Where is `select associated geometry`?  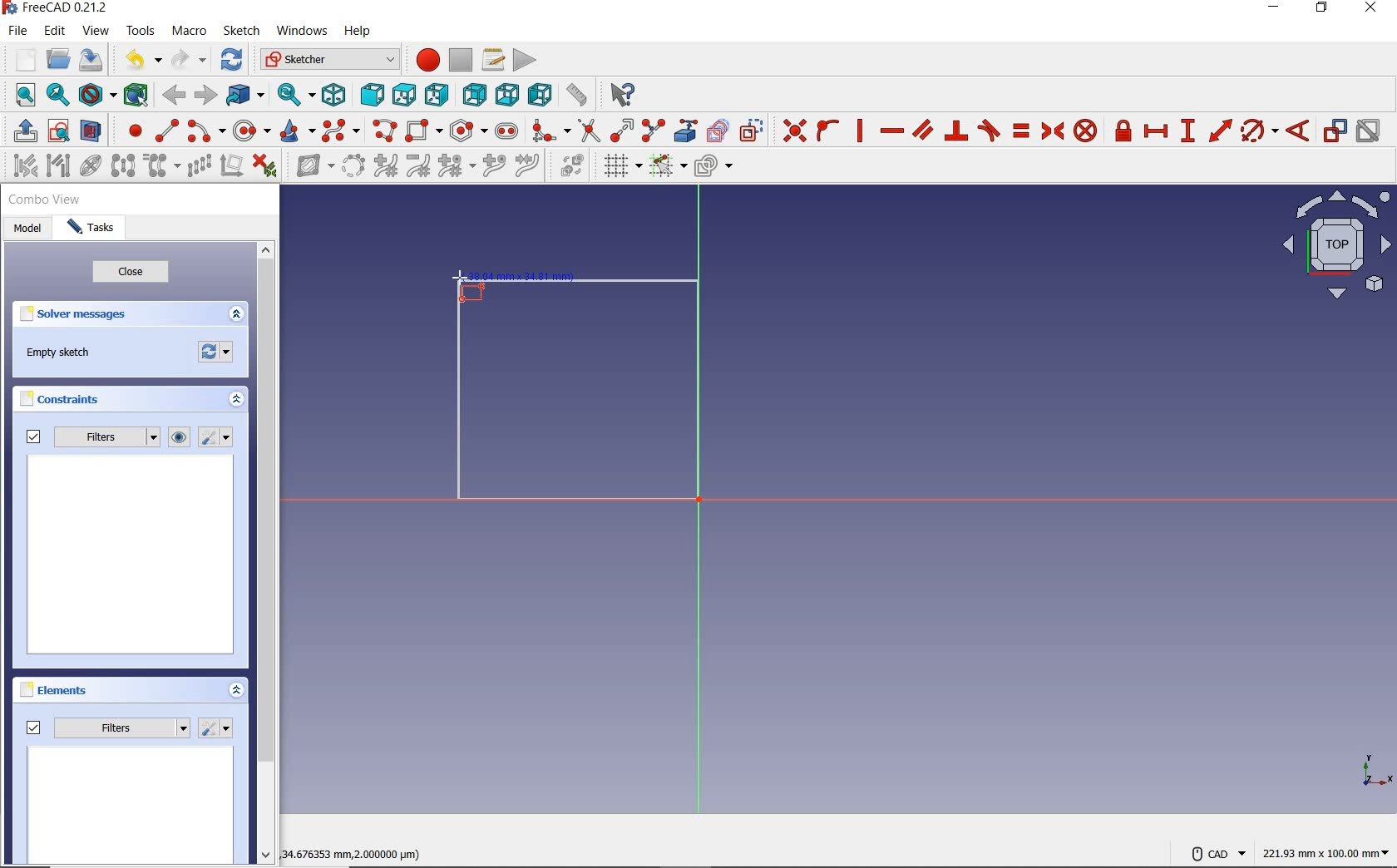
select associated geometry is located at coordinates (57, 166).